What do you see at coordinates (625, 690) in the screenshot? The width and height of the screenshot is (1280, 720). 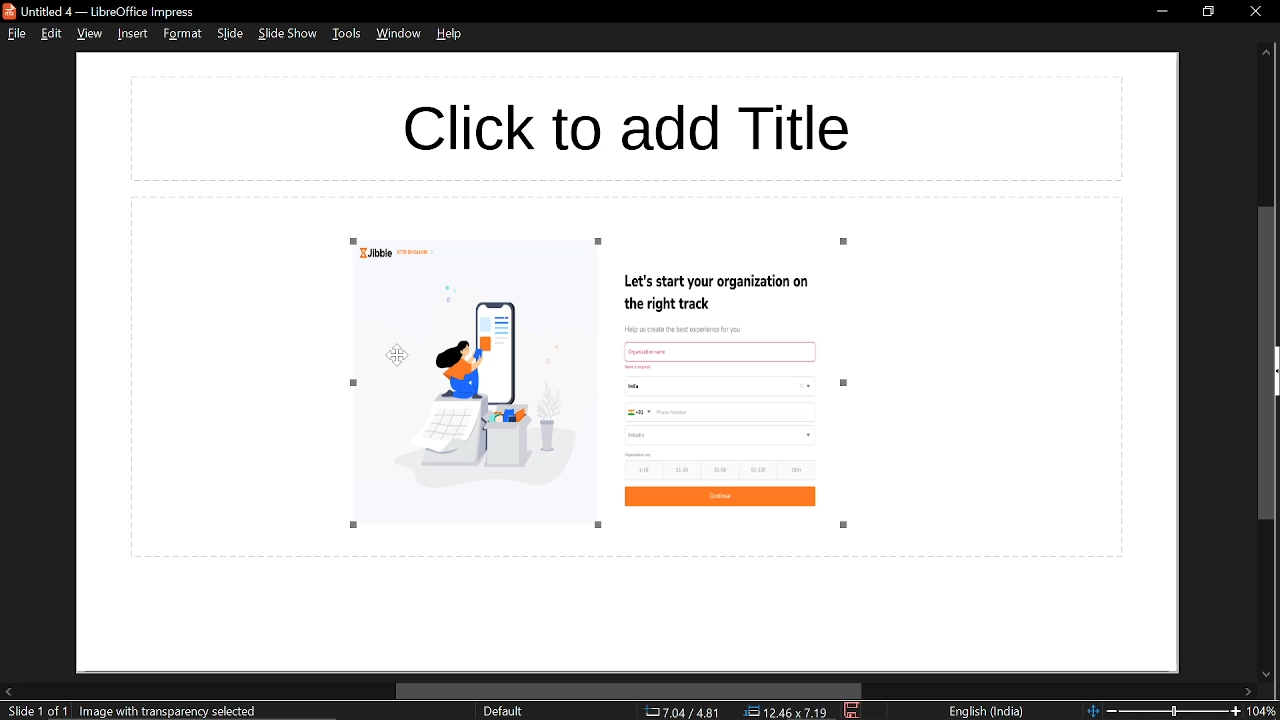 I see `horizontal scrollbar` at bounding box center [625, 690].